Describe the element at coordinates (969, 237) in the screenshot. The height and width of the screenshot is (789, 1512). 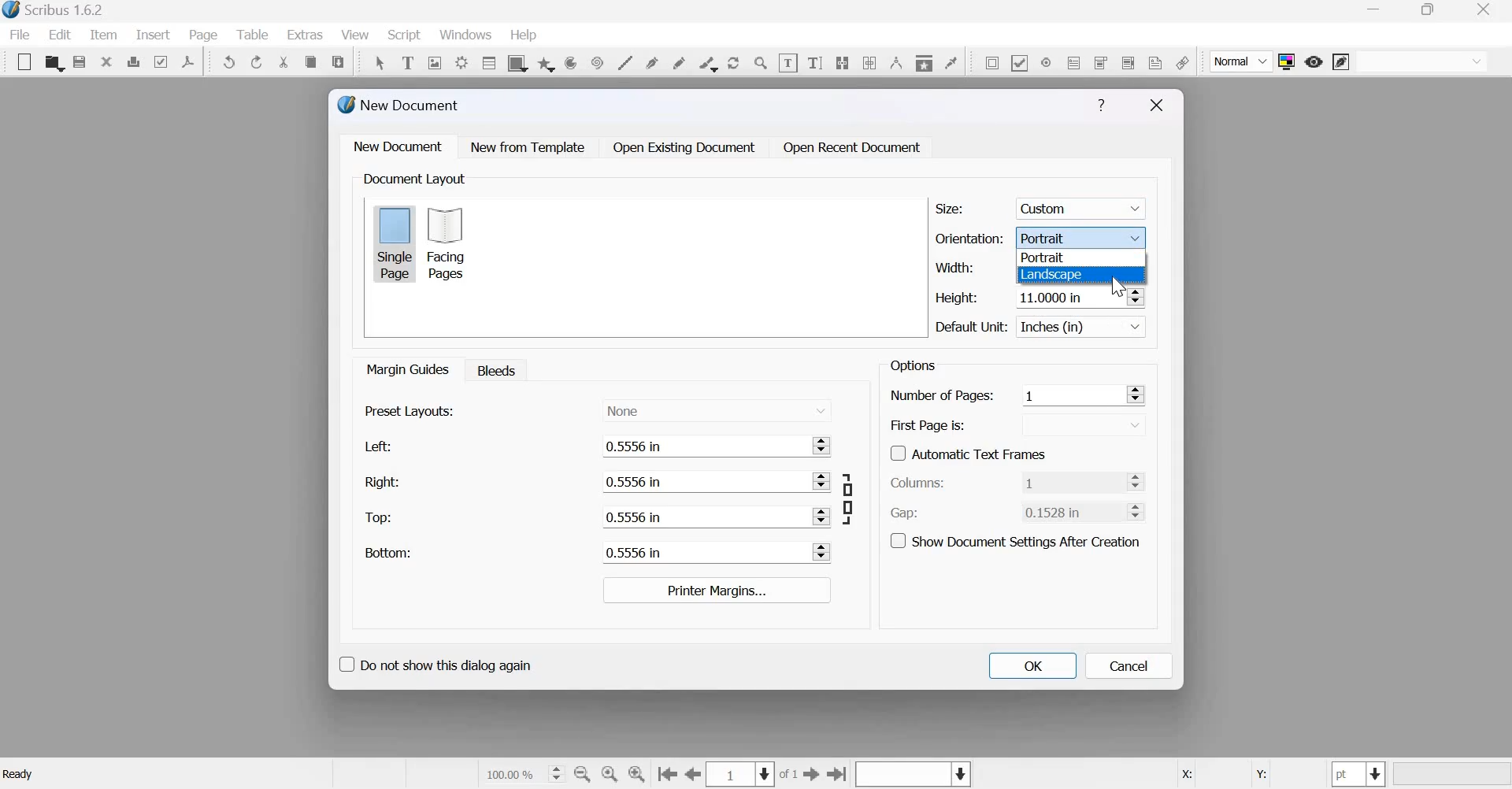
I see `Orientation: ` at that location.